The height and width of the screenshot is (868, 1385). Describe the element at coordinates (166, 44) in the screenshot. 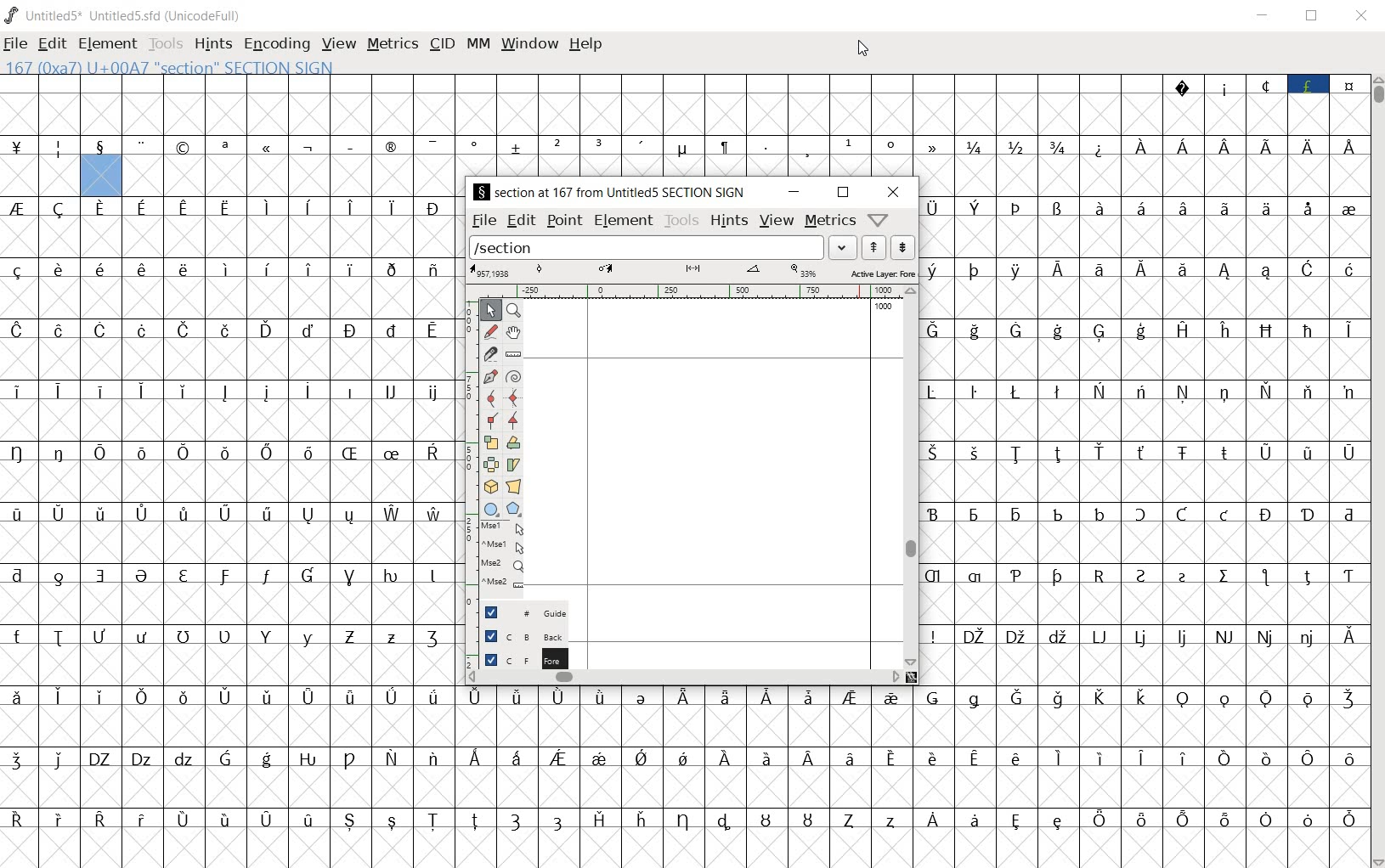

I see `TOOLS` at that location.